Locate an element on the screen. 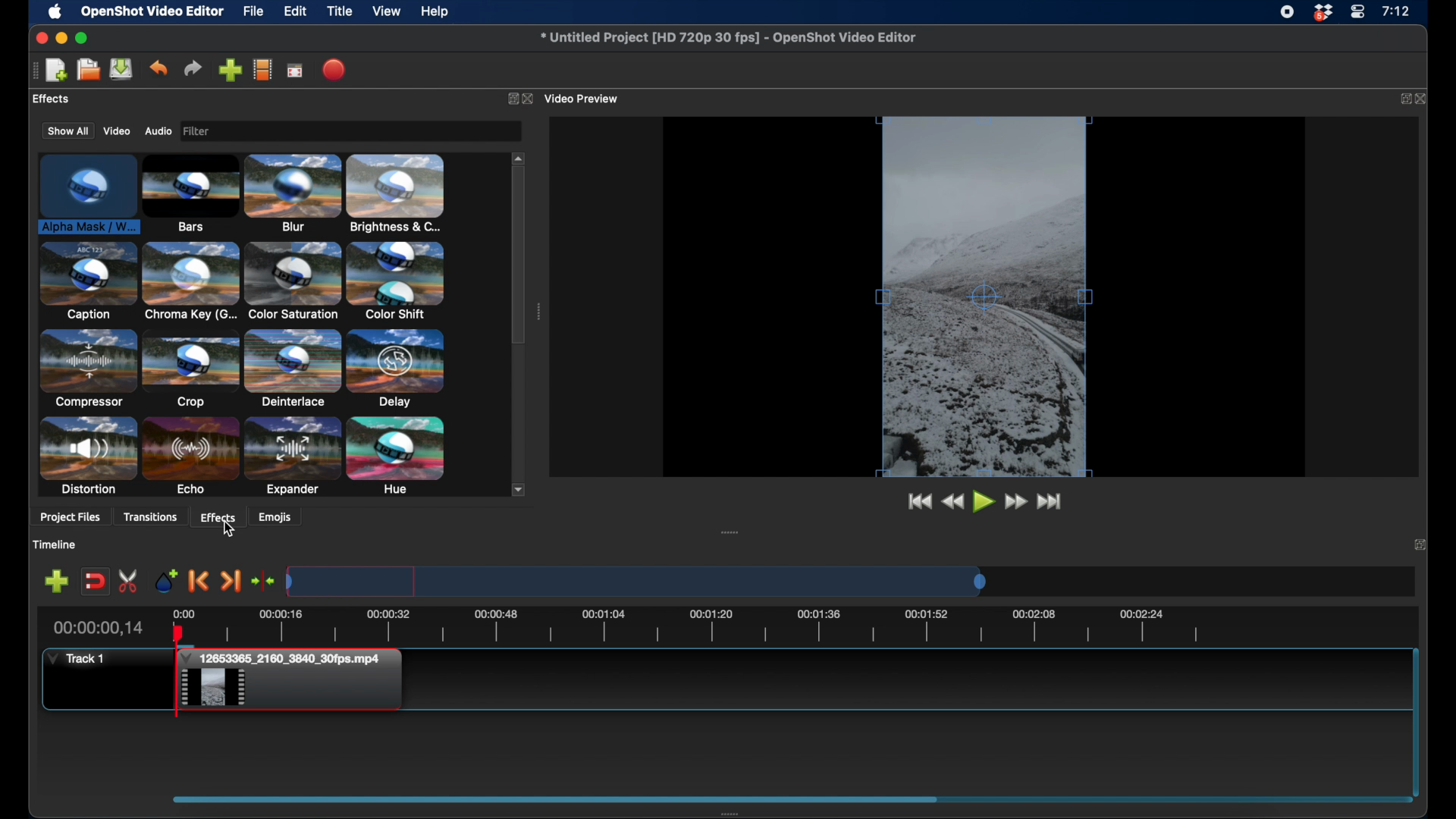 The width and height of the screenshot is (1456, 819). save project is located at coordinates (121, 69).